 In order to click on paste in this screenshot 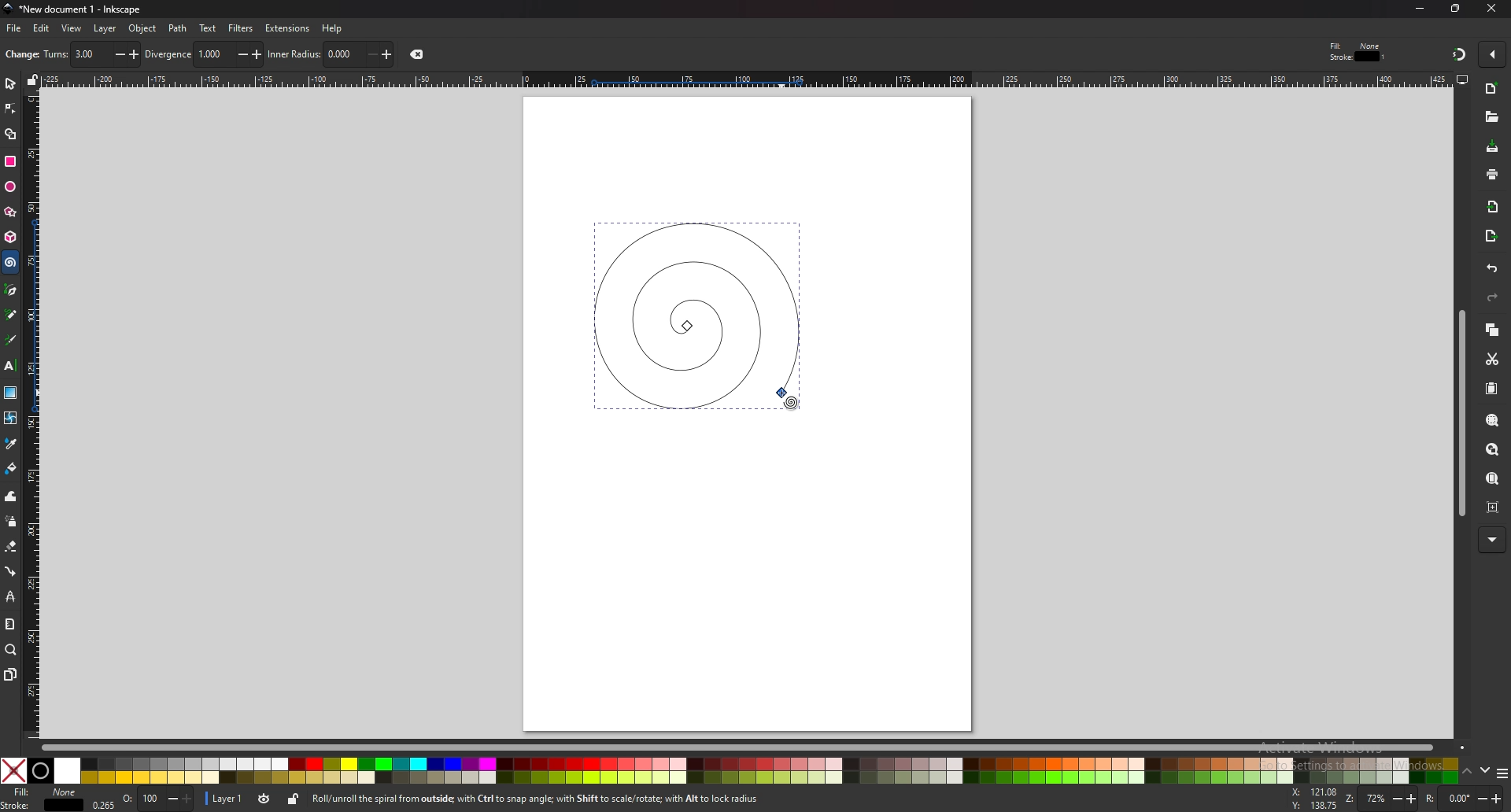, I will do `click(1491, 388)`.